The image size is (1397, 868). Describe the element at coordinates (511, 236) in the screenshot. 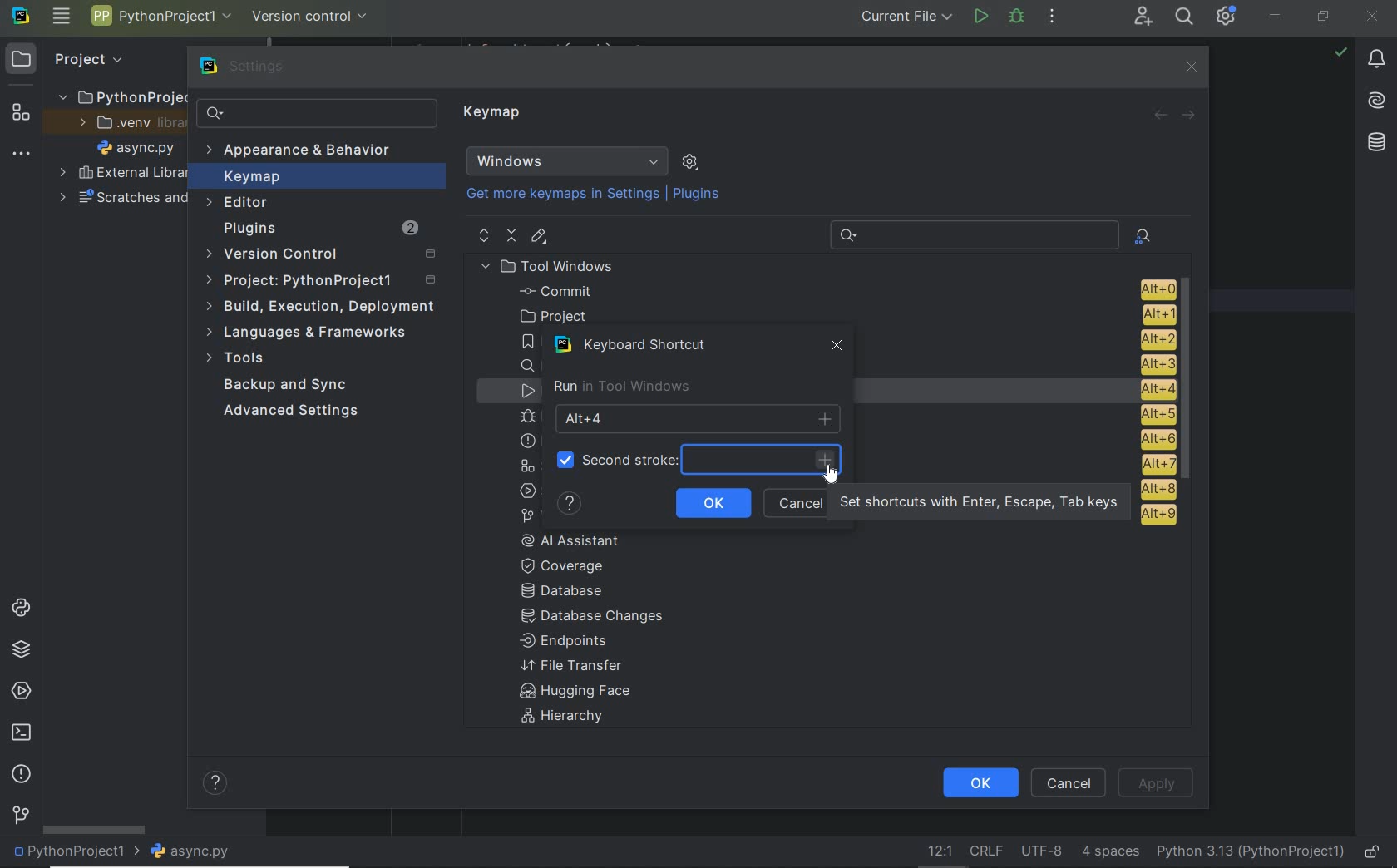

I see `collapse all` at that location.